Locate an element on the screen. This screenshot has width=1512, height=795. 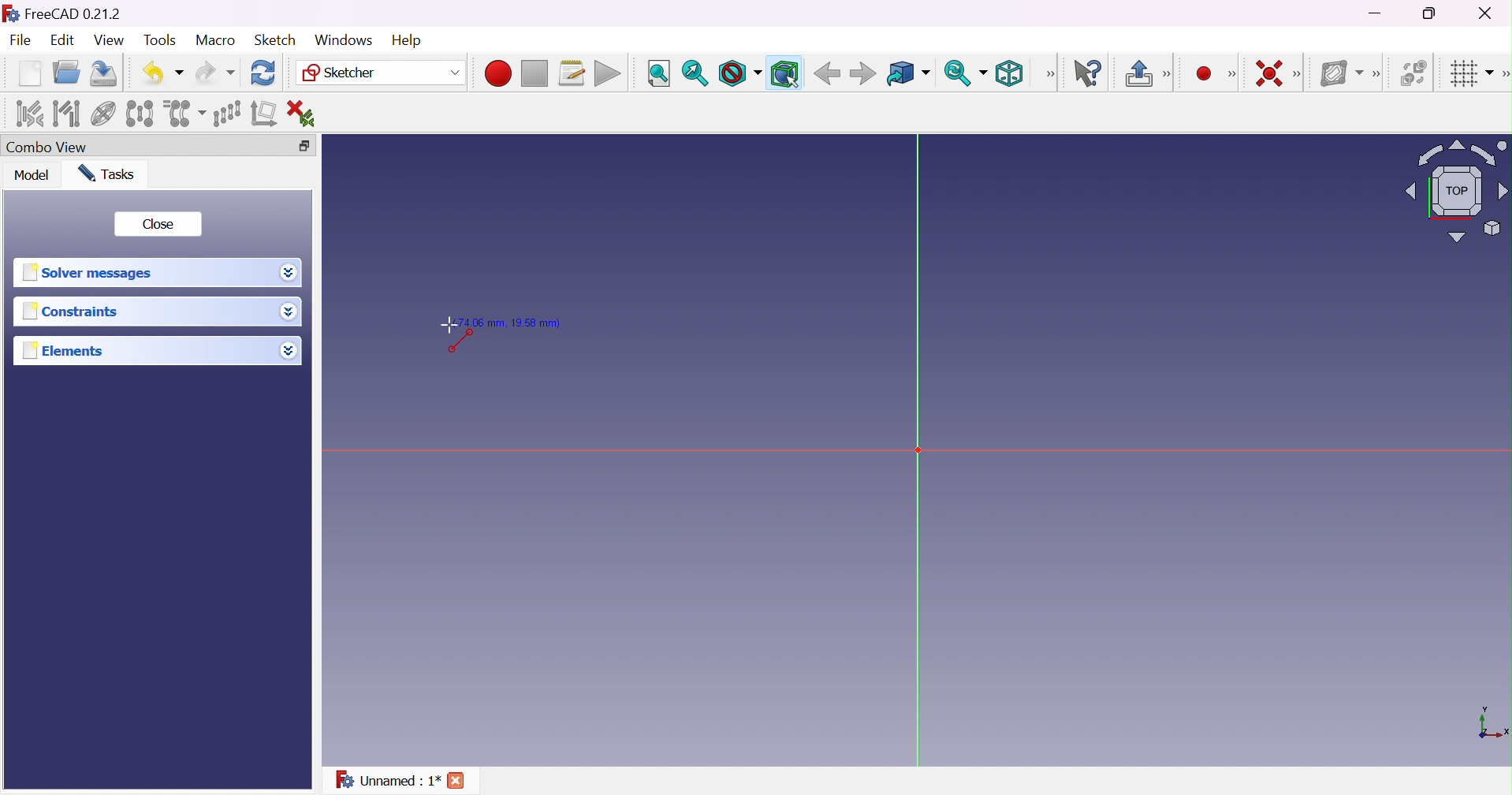
Move in box is located at coordinates (907, 74).